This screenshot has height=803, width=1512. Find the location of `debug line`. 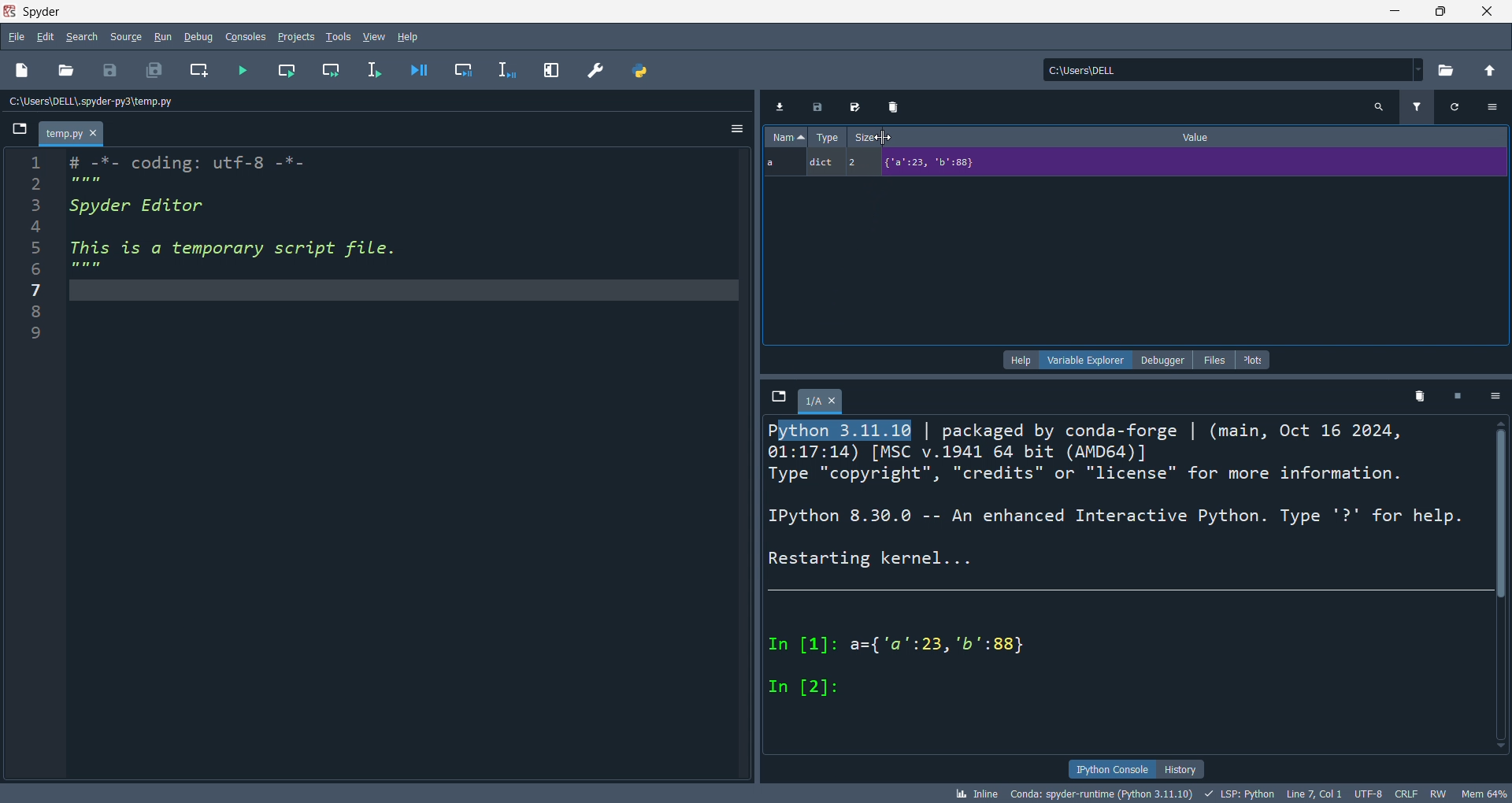

debug line is located at coordinates (506, 68).